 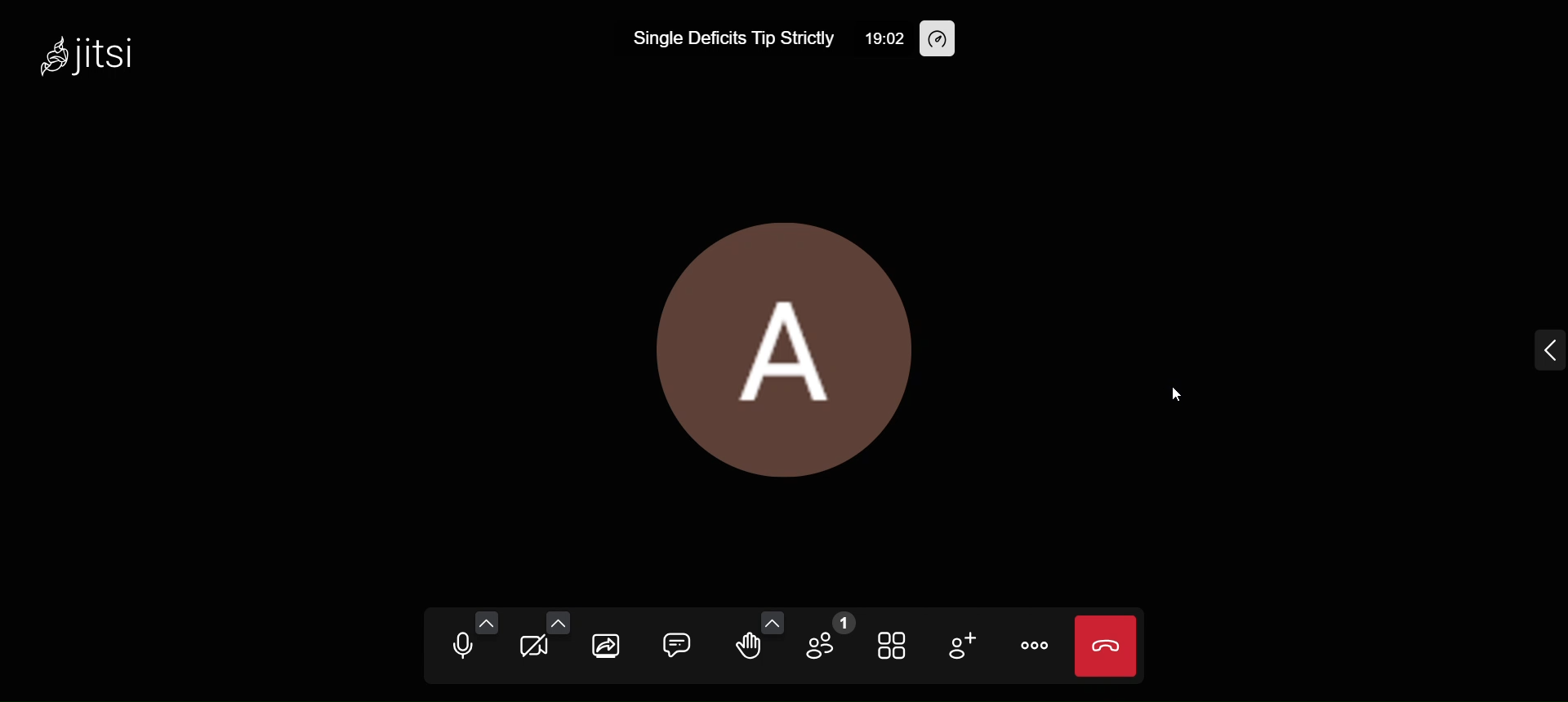 I want to click on raise hand, so click(x=748, y=646).